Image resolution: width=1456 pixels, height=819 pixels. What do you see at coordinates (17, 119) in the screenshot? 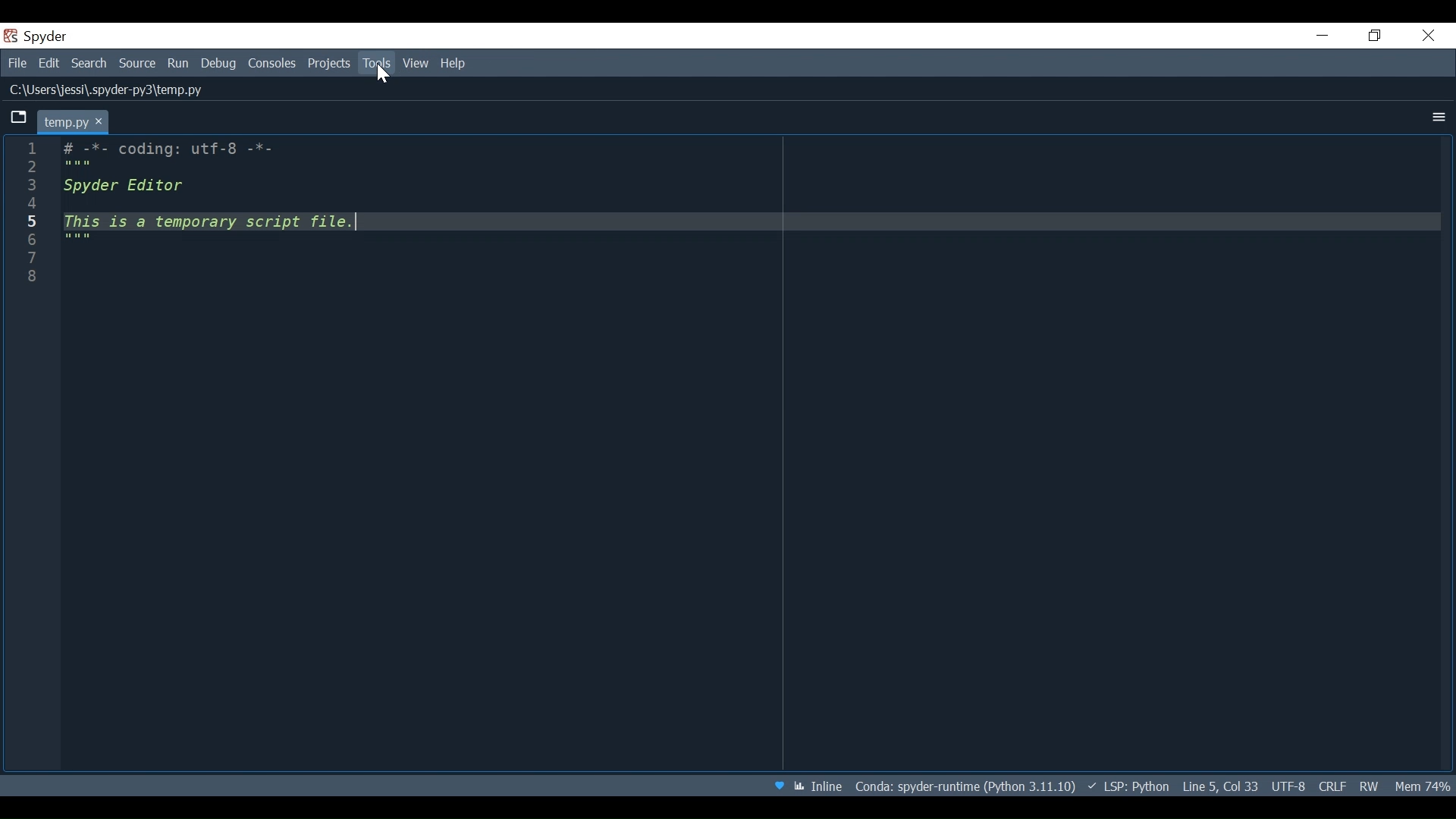
I see `Browse Tab` at bounding box center [17, 119].